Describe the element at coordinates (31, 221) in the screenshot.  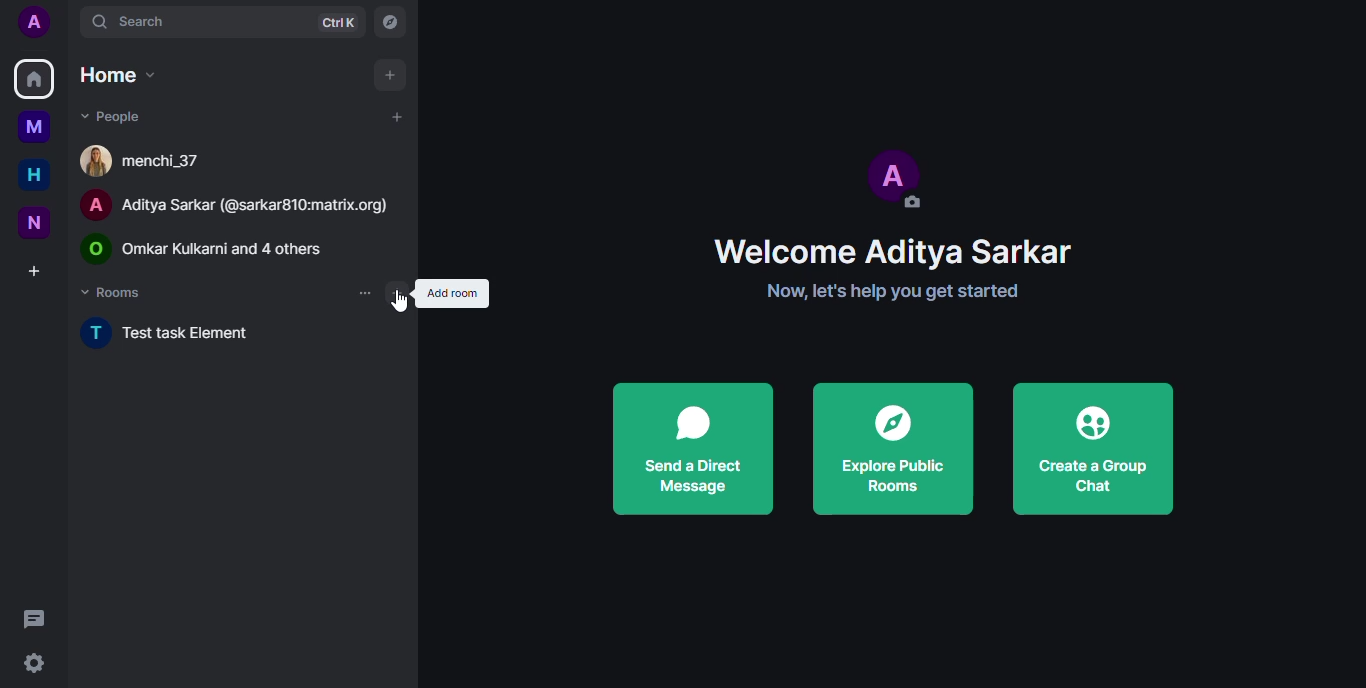
I see `new` at that location.